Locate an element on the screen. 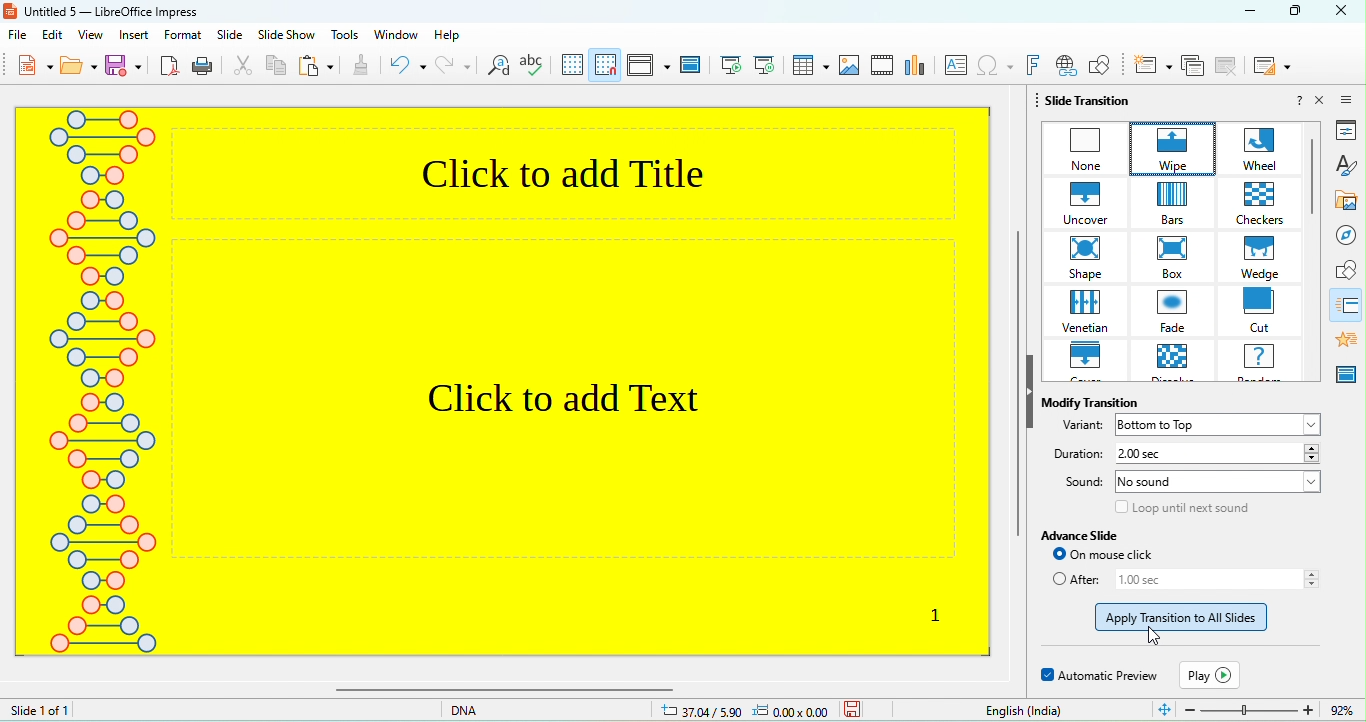 The height and width of the screenshot is (722, 1366). none is located at coordinates (1081, 146).